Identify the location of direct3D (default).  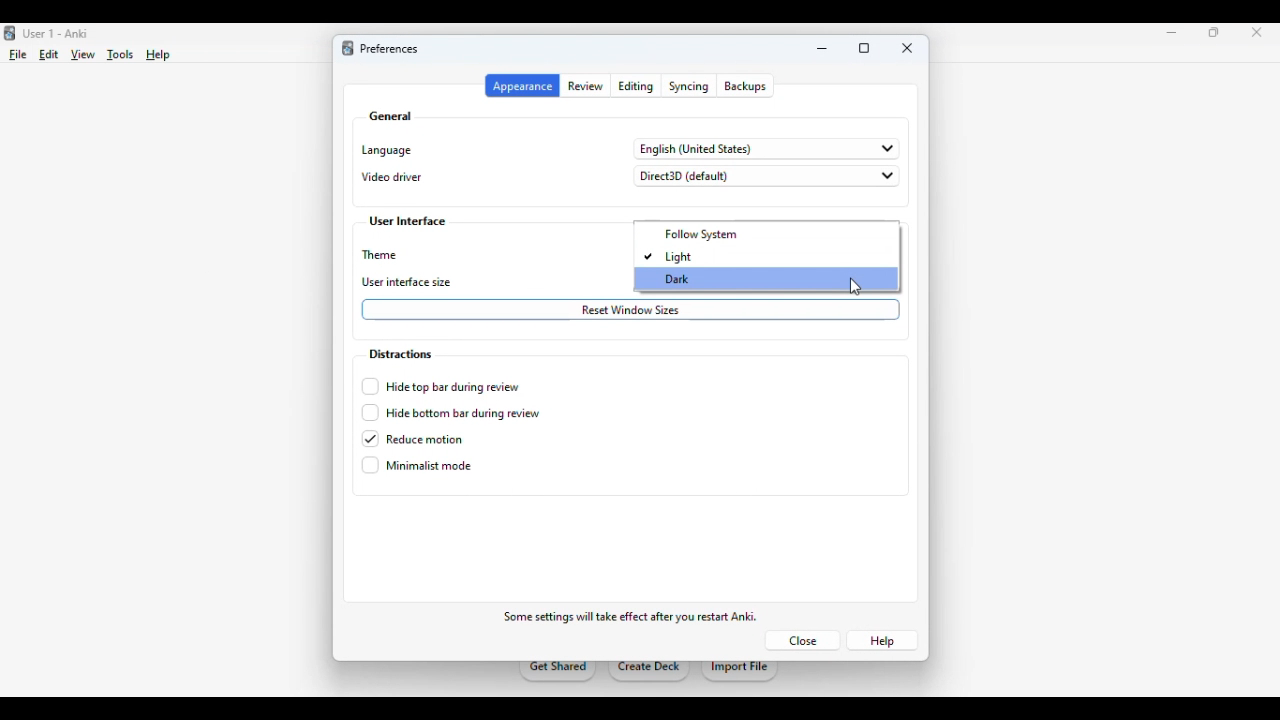
(766, 176).